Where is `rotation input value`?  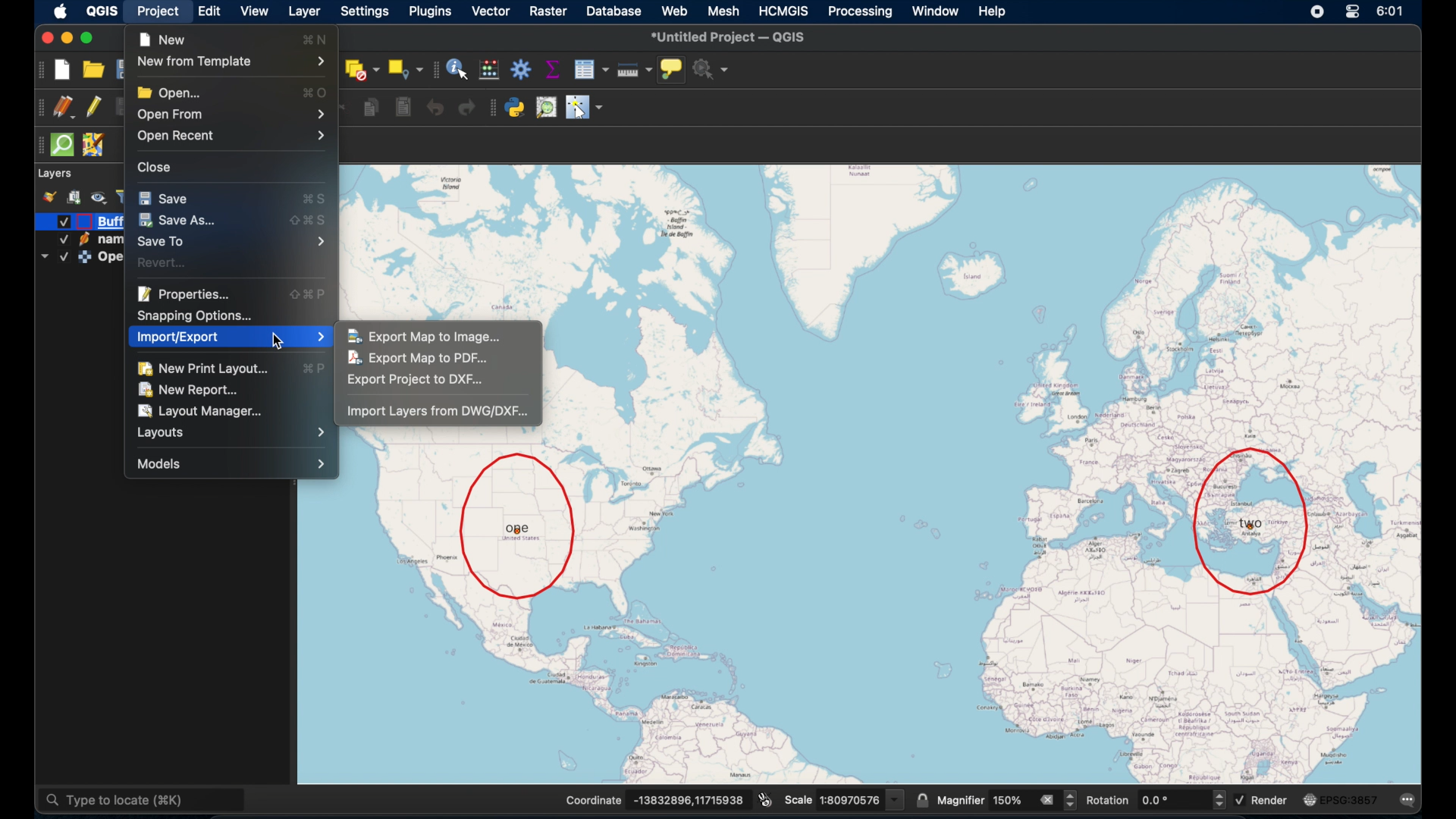
rotation input value is located at coordinates (1171, 801).